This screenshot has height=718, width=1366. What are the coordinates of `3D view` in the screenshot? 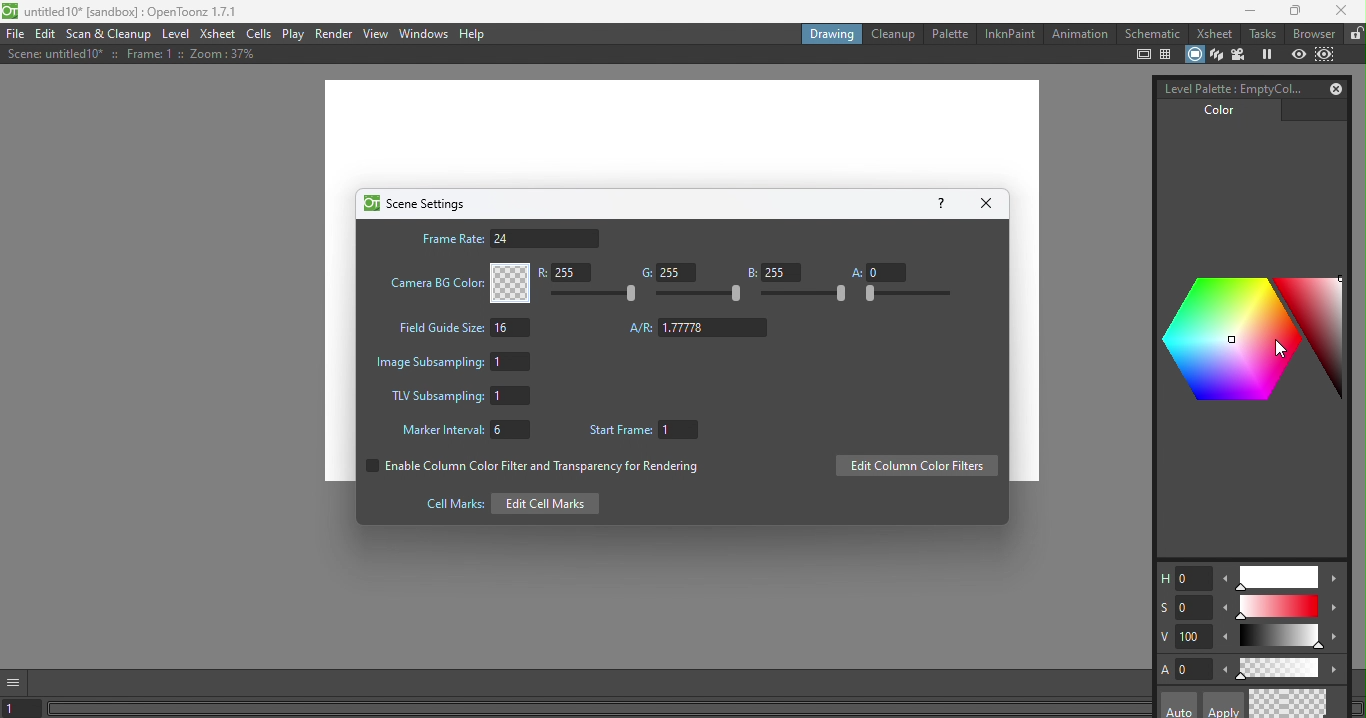 It's located at (1215, 53).